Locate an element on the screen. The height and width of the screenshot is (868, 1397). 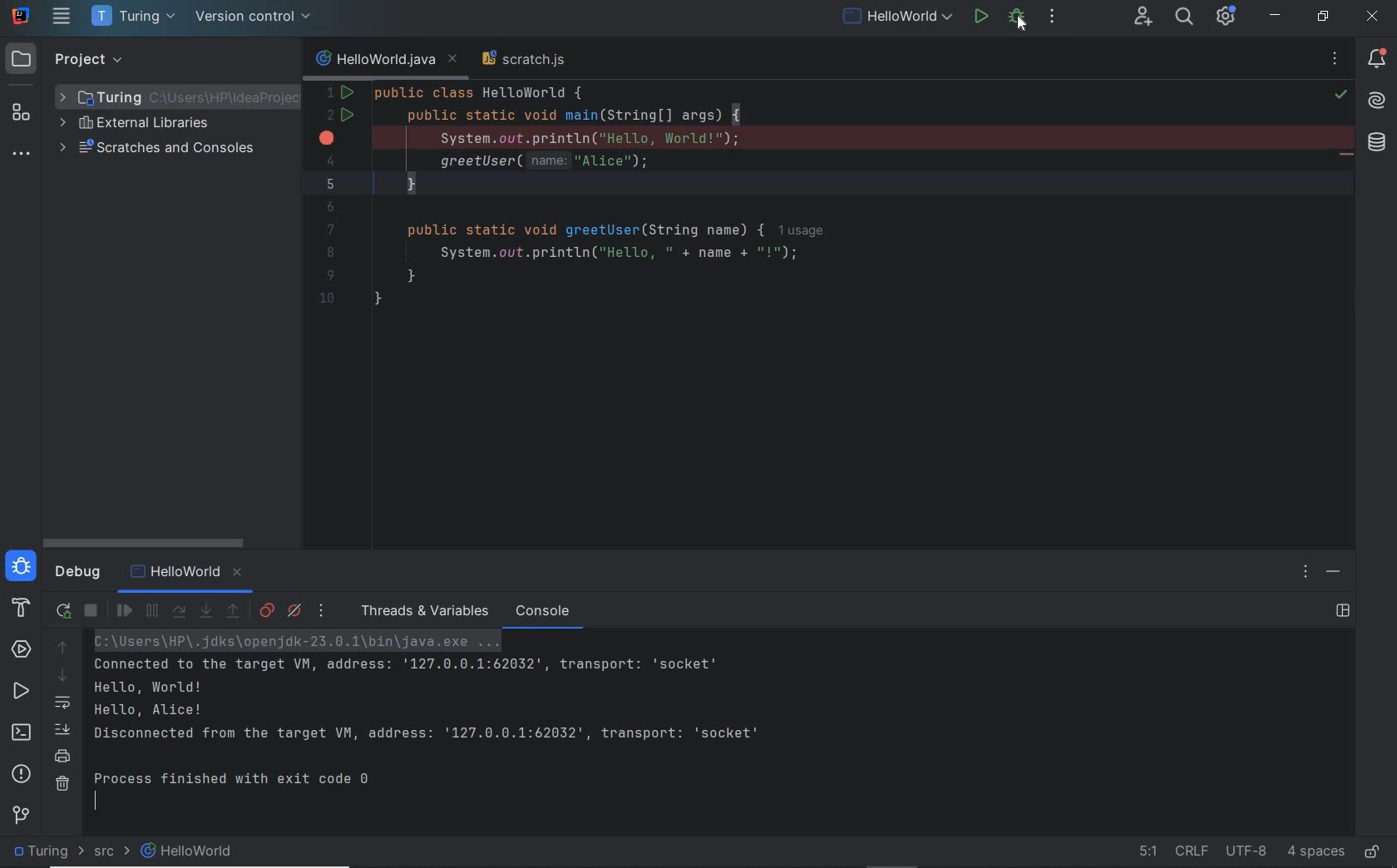
notifications is located at coordinates (1378, 58).